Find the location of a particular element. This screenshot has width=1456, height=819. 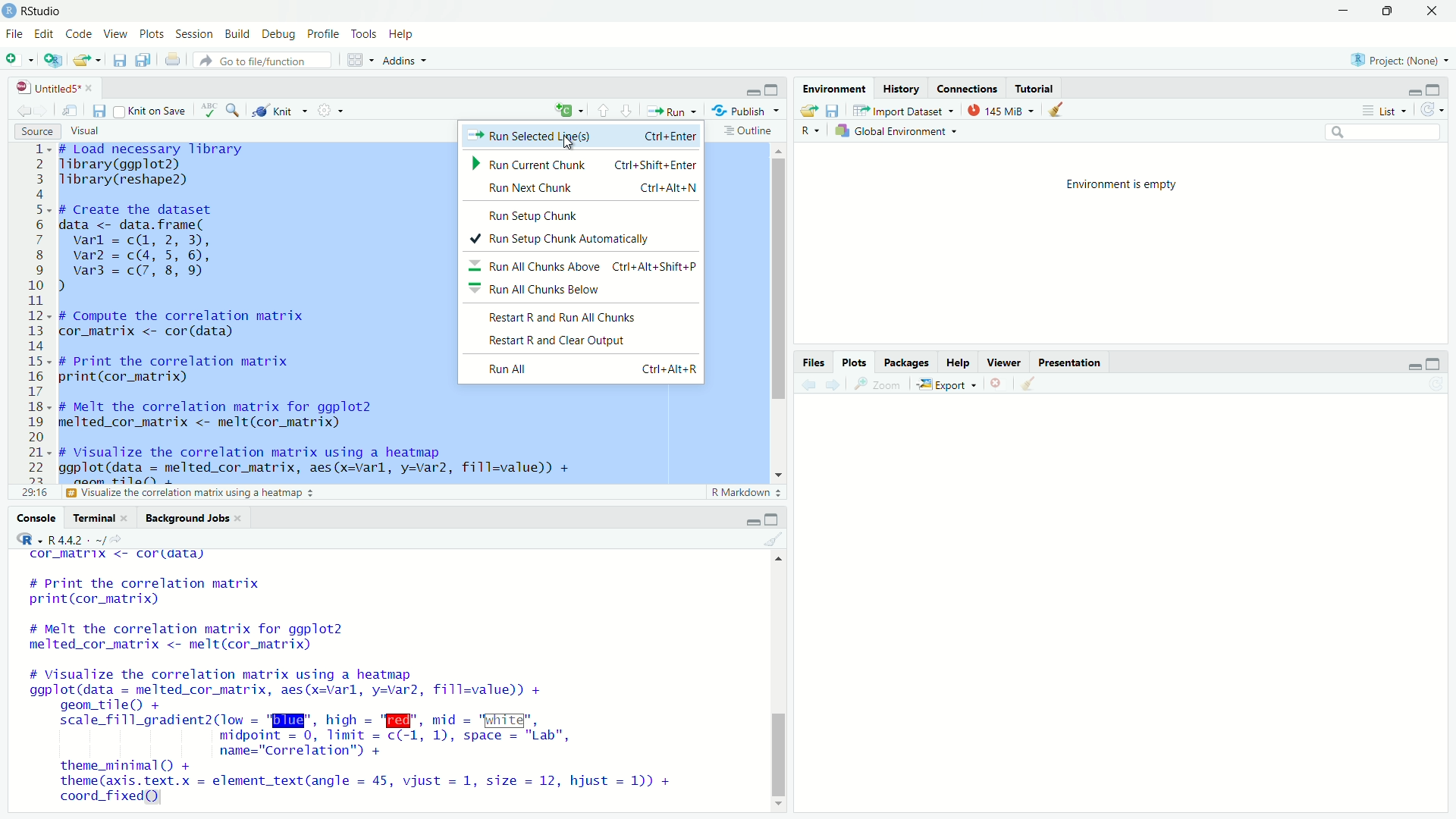

selected project: None is located at coordinates (1401, 58).